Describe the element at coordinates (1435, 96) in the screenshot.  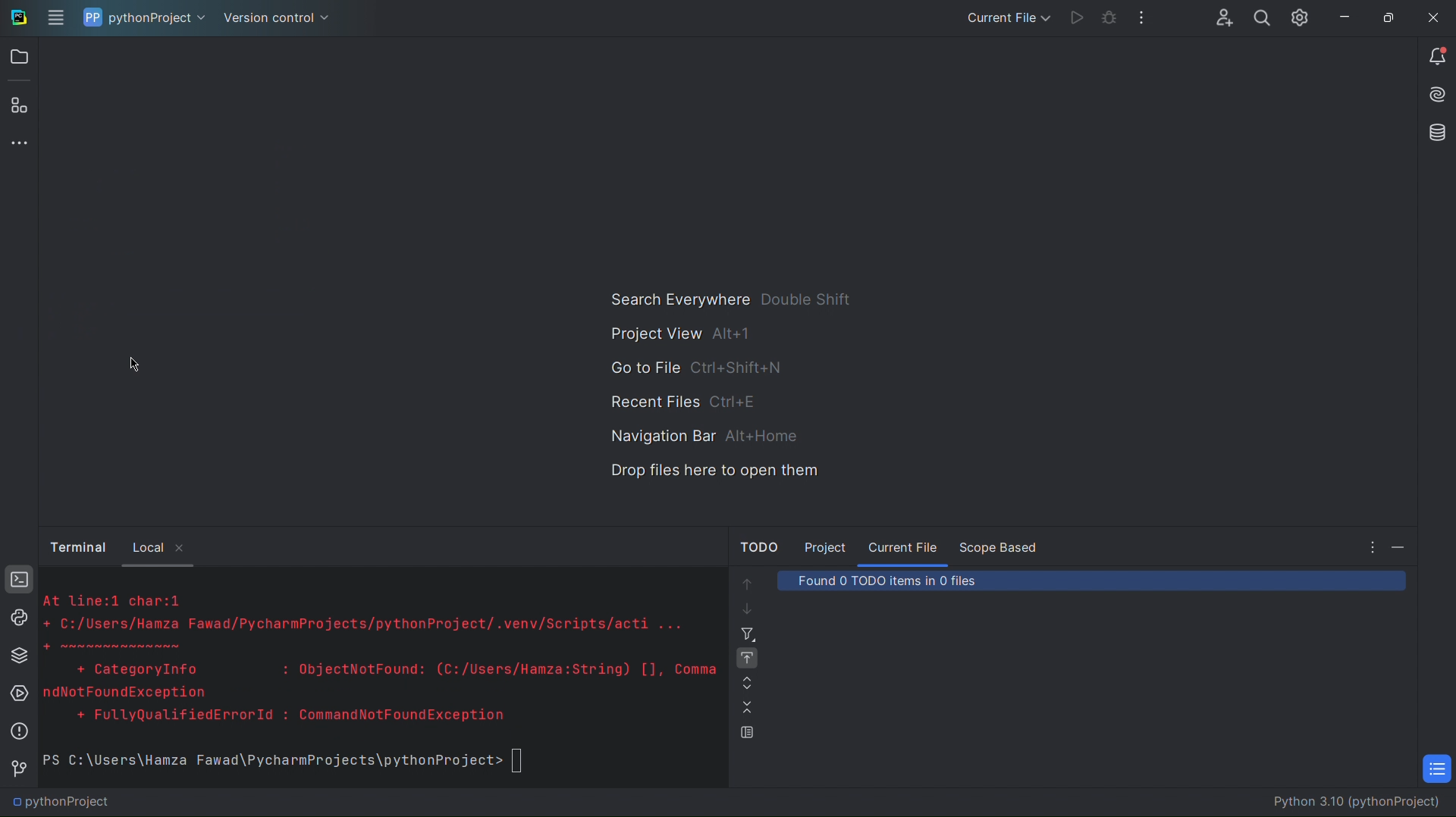
I see `Install AI Assistant` at that location.